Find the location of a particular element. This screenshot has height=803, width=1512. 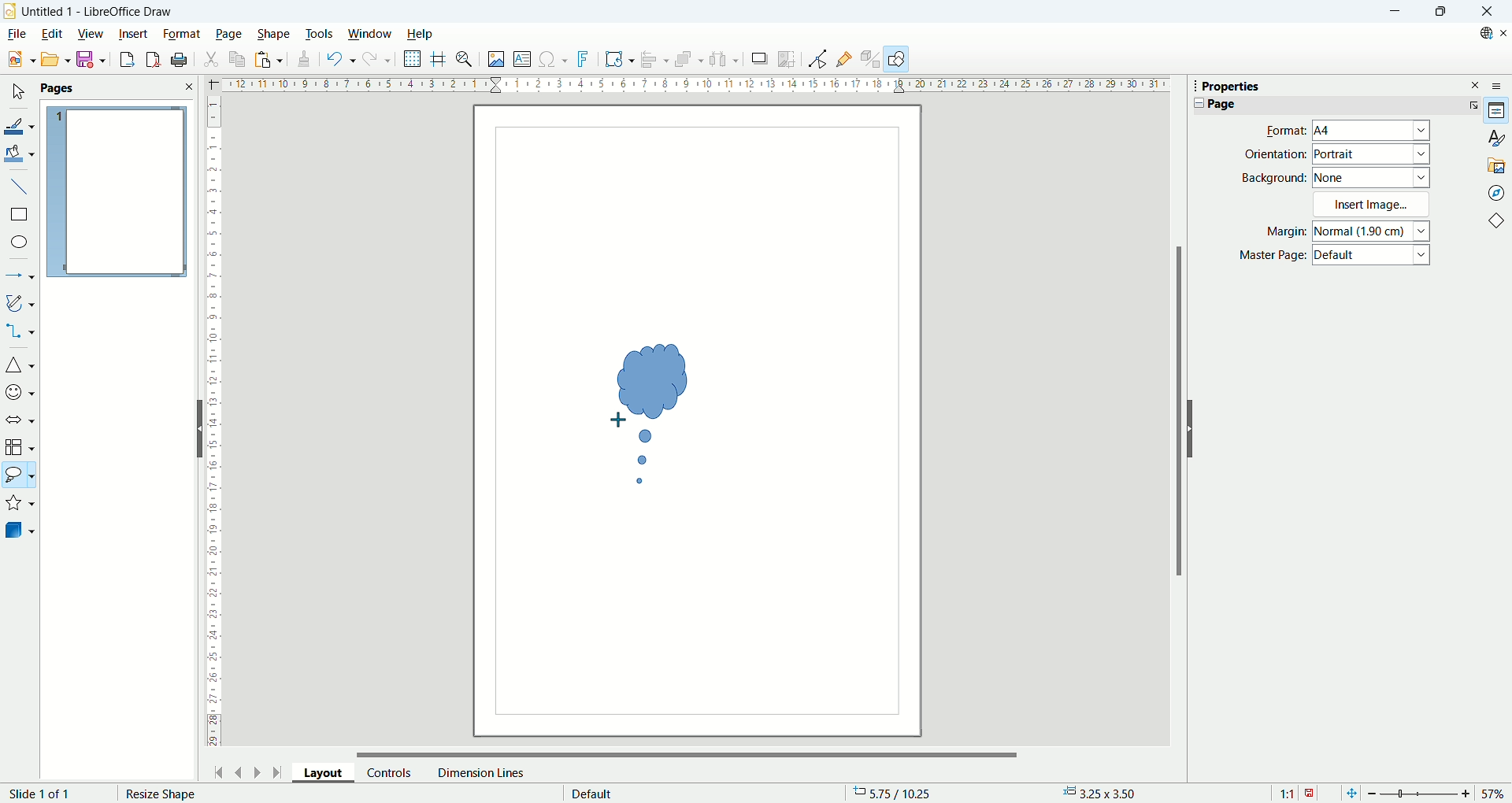

Tooltip drag is located at coordinates (1188, 85).